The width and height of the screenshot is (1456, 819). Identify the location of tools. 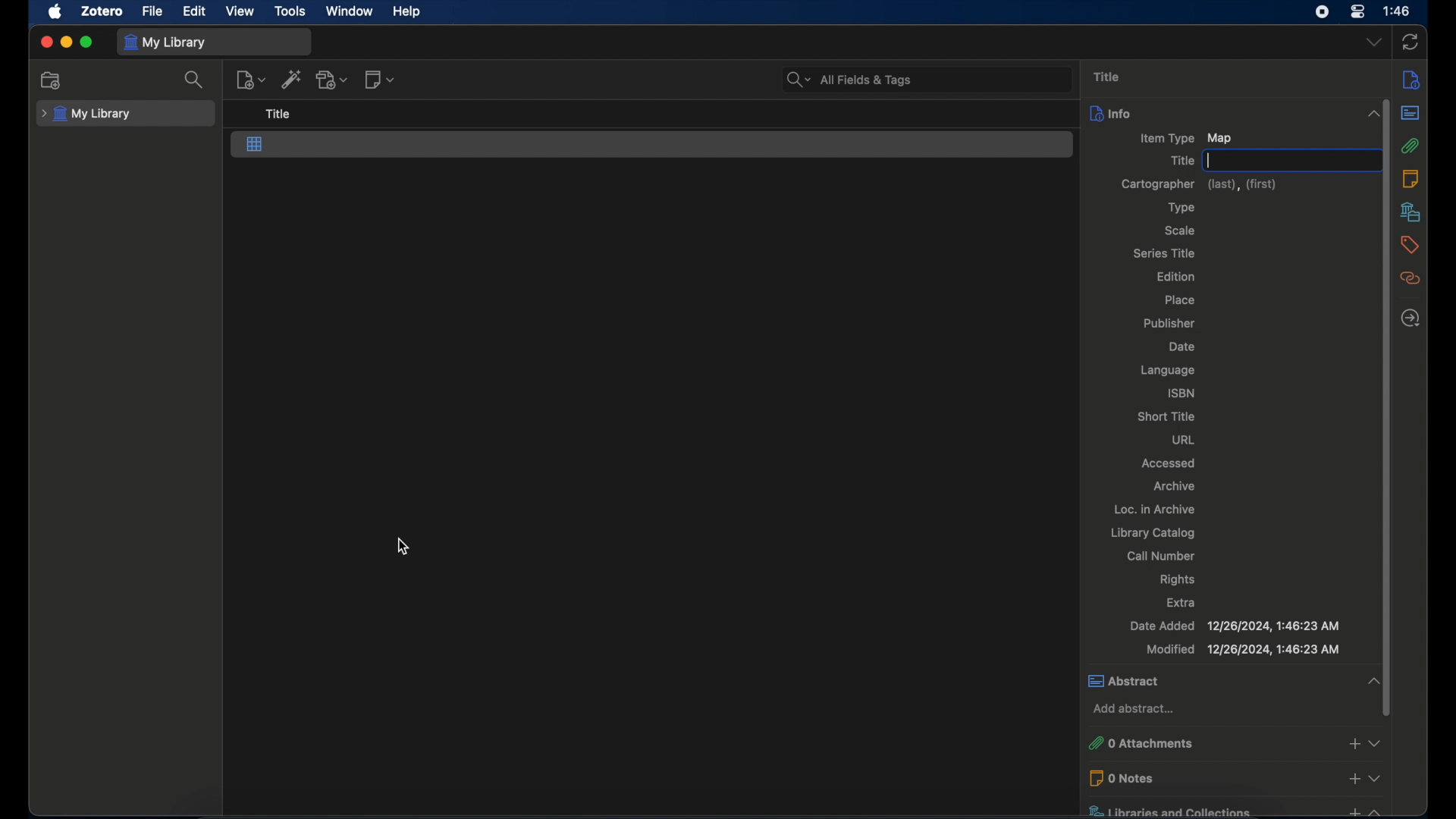
(290, 10).